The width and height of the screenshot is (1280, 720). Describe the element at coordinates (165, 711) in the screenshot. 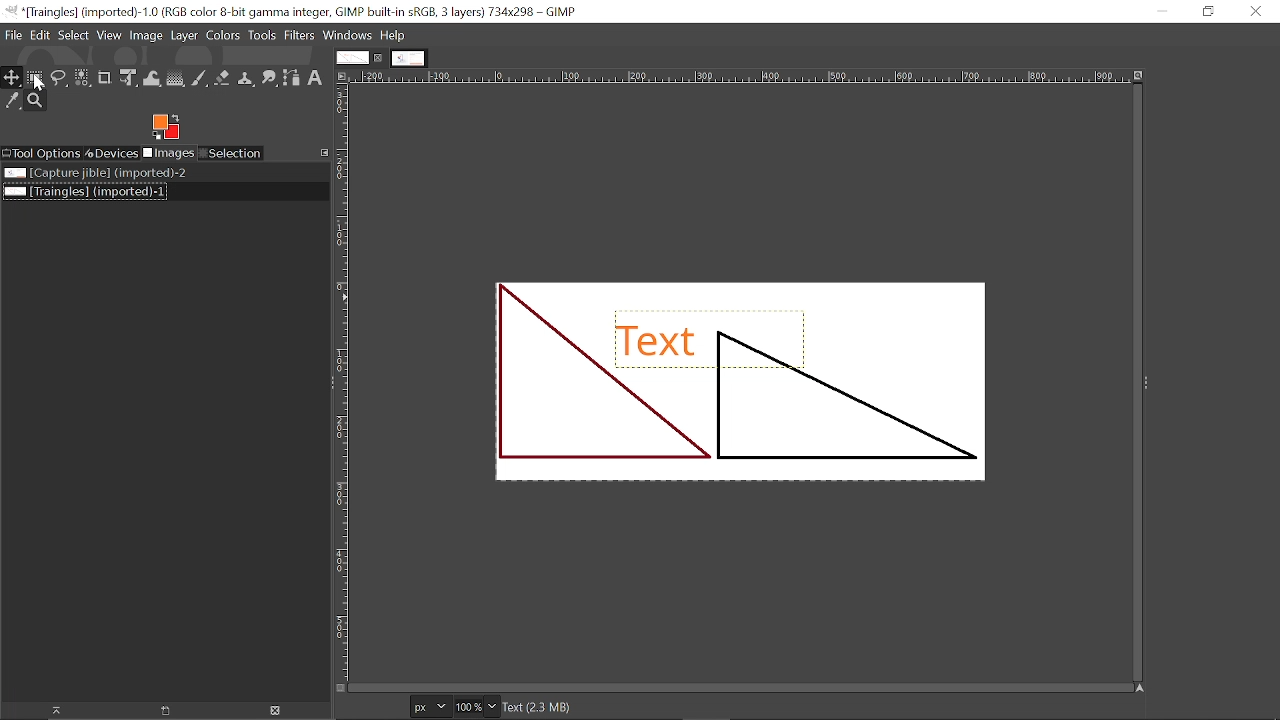

I see `Open new display for this image` at that location.